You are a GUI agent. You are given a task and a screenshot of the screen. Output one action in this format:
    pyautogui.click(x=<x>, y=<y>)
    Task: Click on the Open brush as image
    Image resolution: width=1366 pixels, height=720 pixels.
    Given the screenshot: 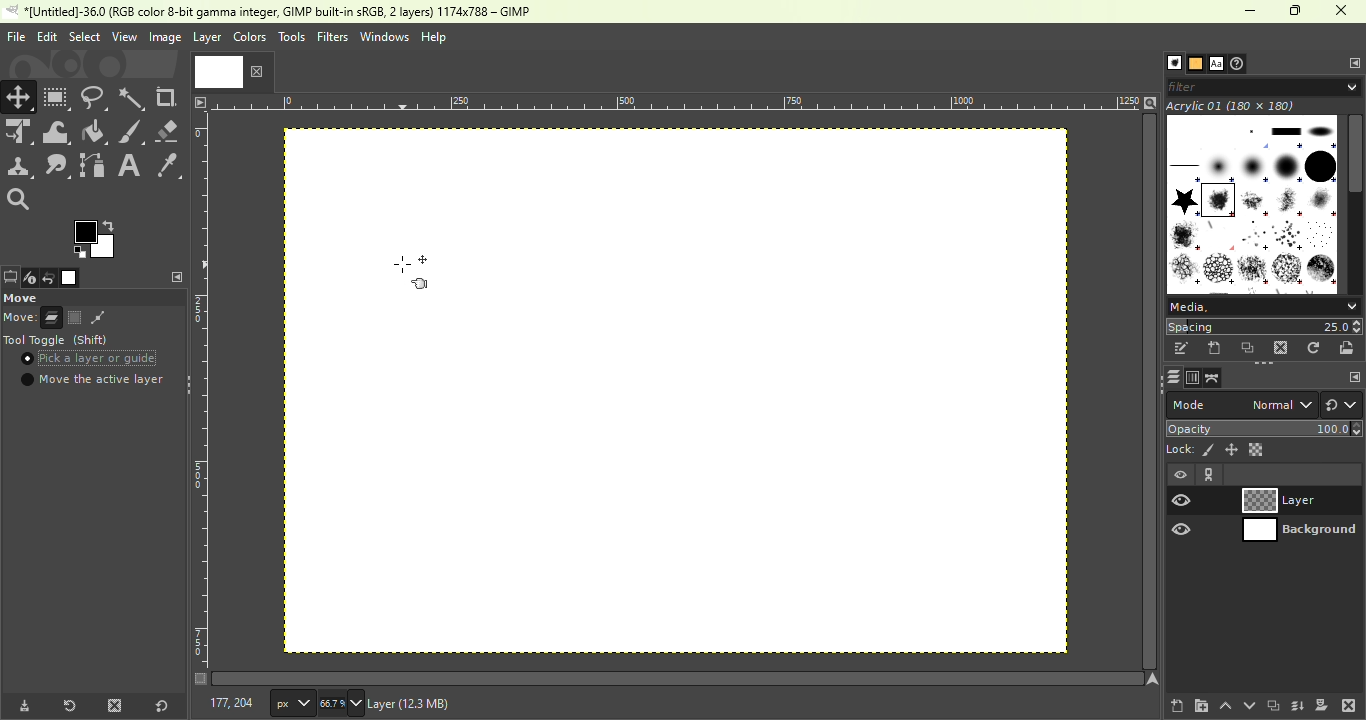 What is the action you would take?
    pyautogui.click(x=1350, y=348)
    